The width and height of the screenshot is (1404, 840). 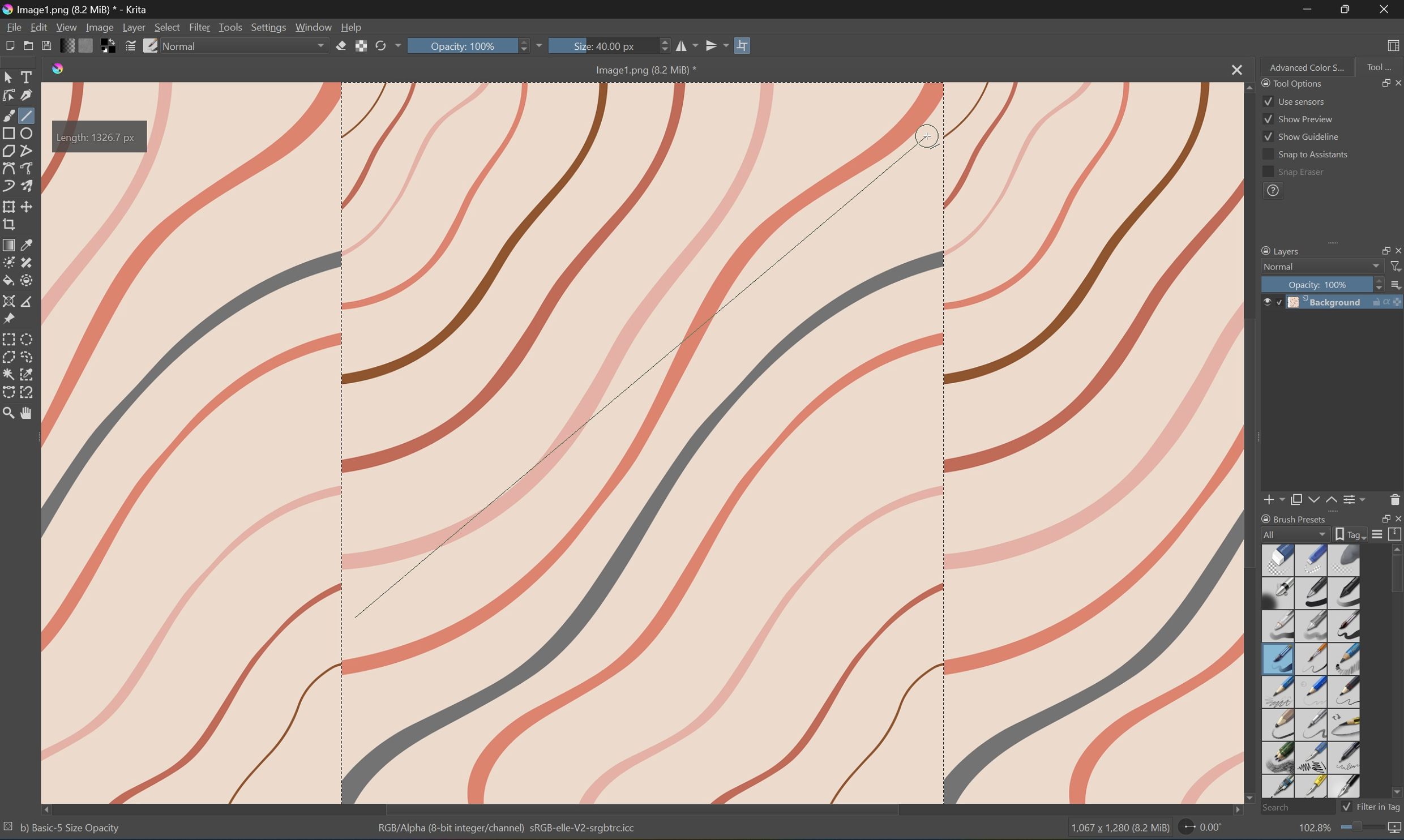 I want to click on Background, so click(x=1347, y=302).